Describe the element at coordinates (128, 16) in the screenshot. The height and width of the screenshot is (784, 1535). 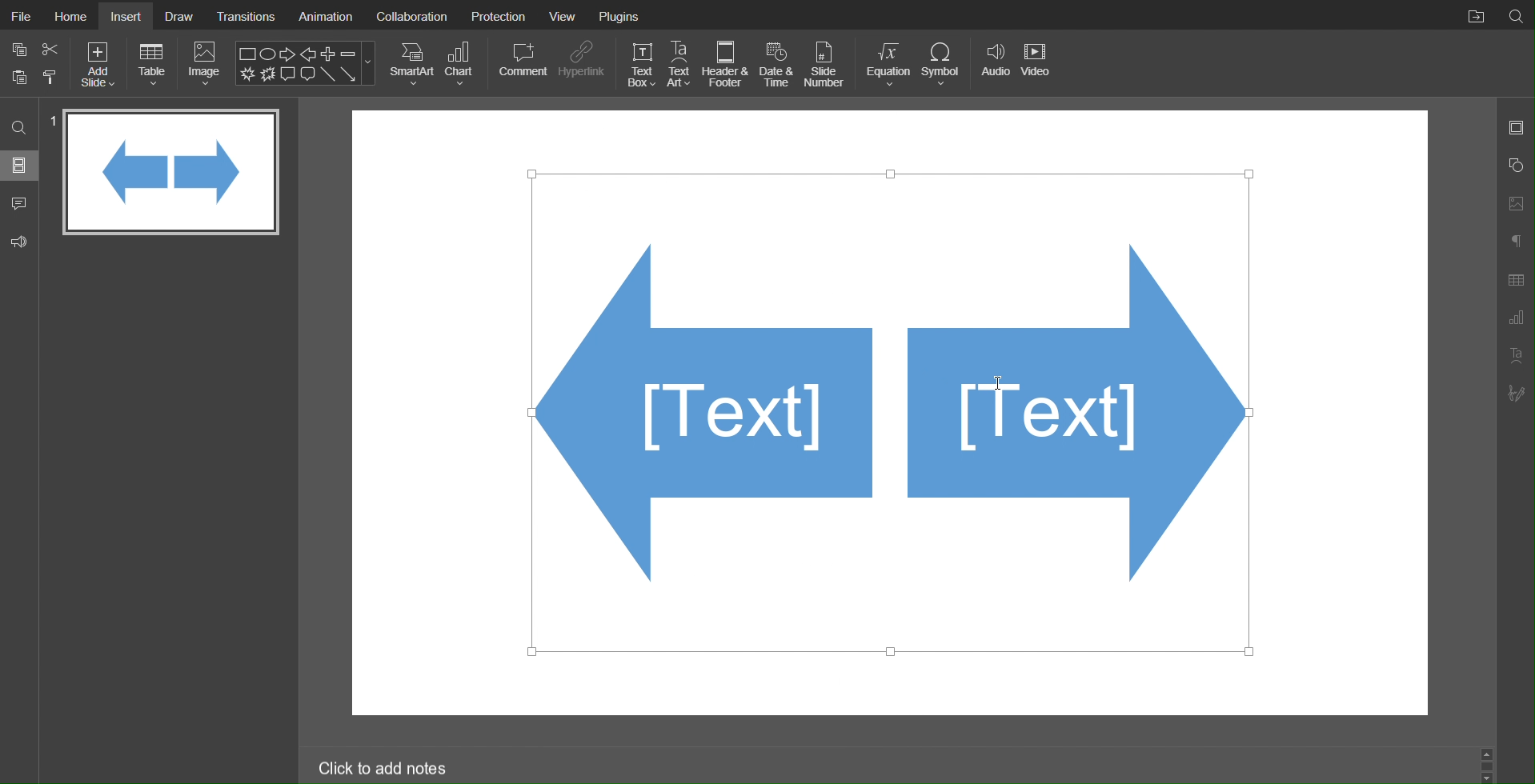
I see `Insert` at that location.